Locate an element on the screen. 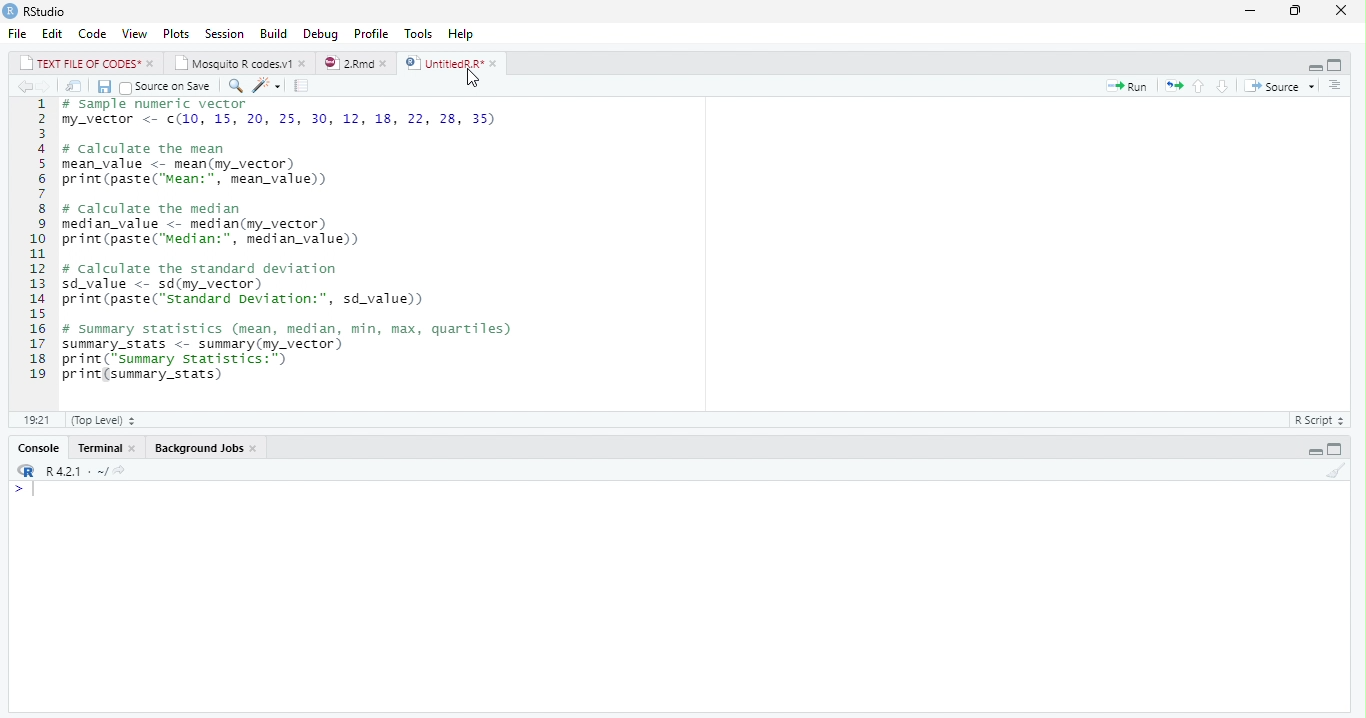 The width and height of the screenshot is (1366, 718). UntitledR.R is located at coordinates (443, 63).